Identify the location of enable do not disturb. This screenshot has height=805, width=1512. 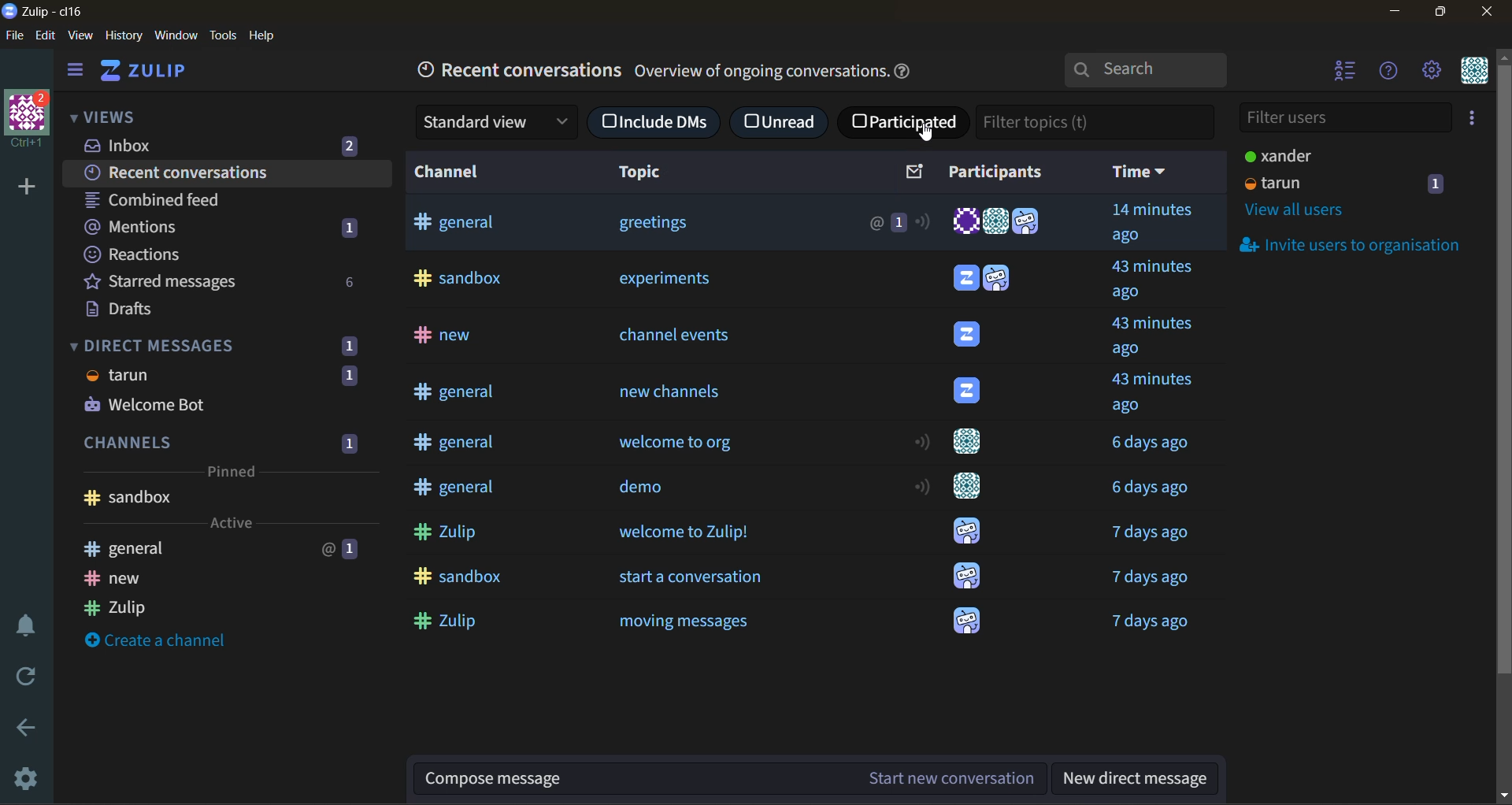
(32, 626).